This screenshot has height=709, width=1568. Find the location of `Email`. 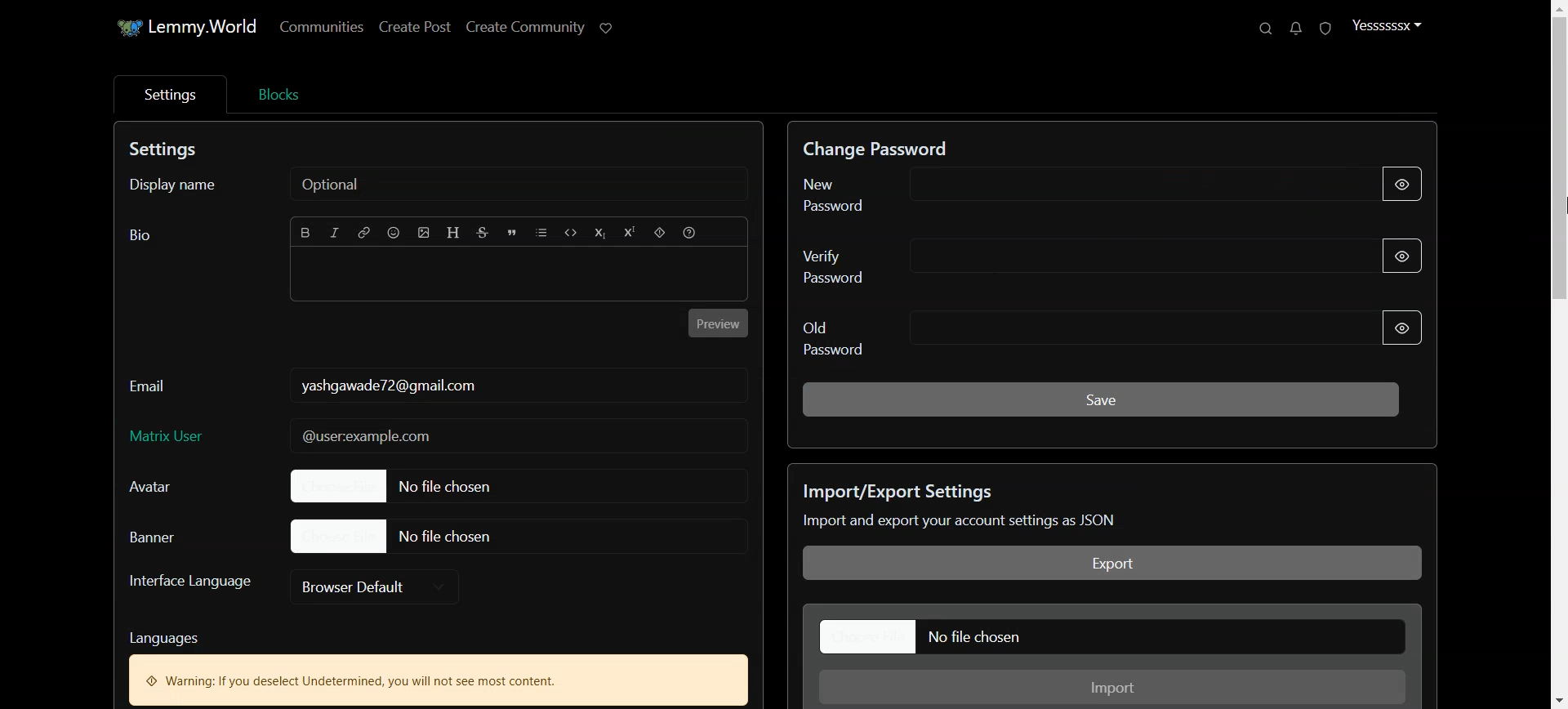

Email is located at coordinates (178, 386).